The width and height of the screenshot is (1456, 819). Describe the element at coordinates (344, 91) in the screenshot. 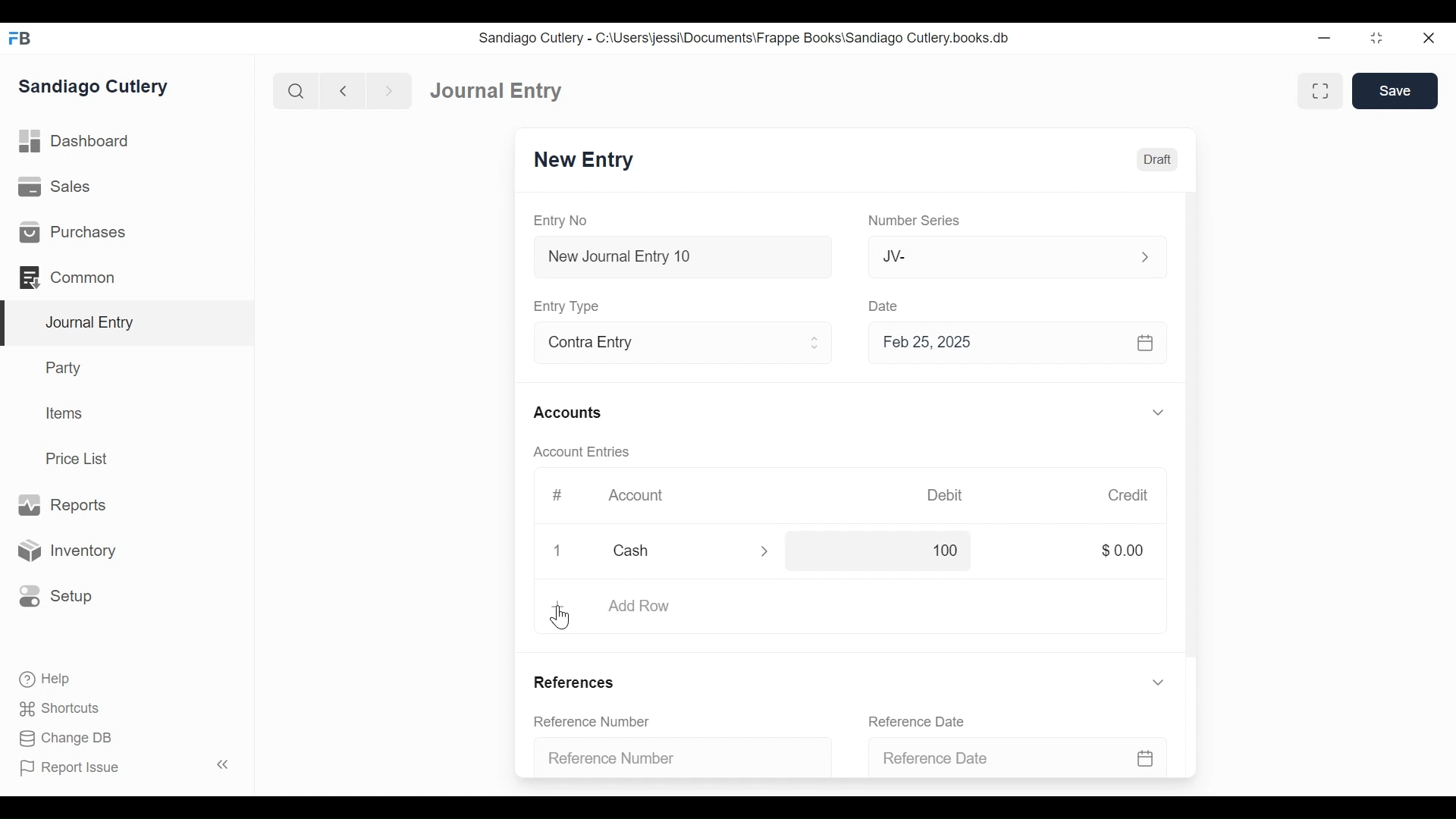

I see `Navigate Back` at that location.